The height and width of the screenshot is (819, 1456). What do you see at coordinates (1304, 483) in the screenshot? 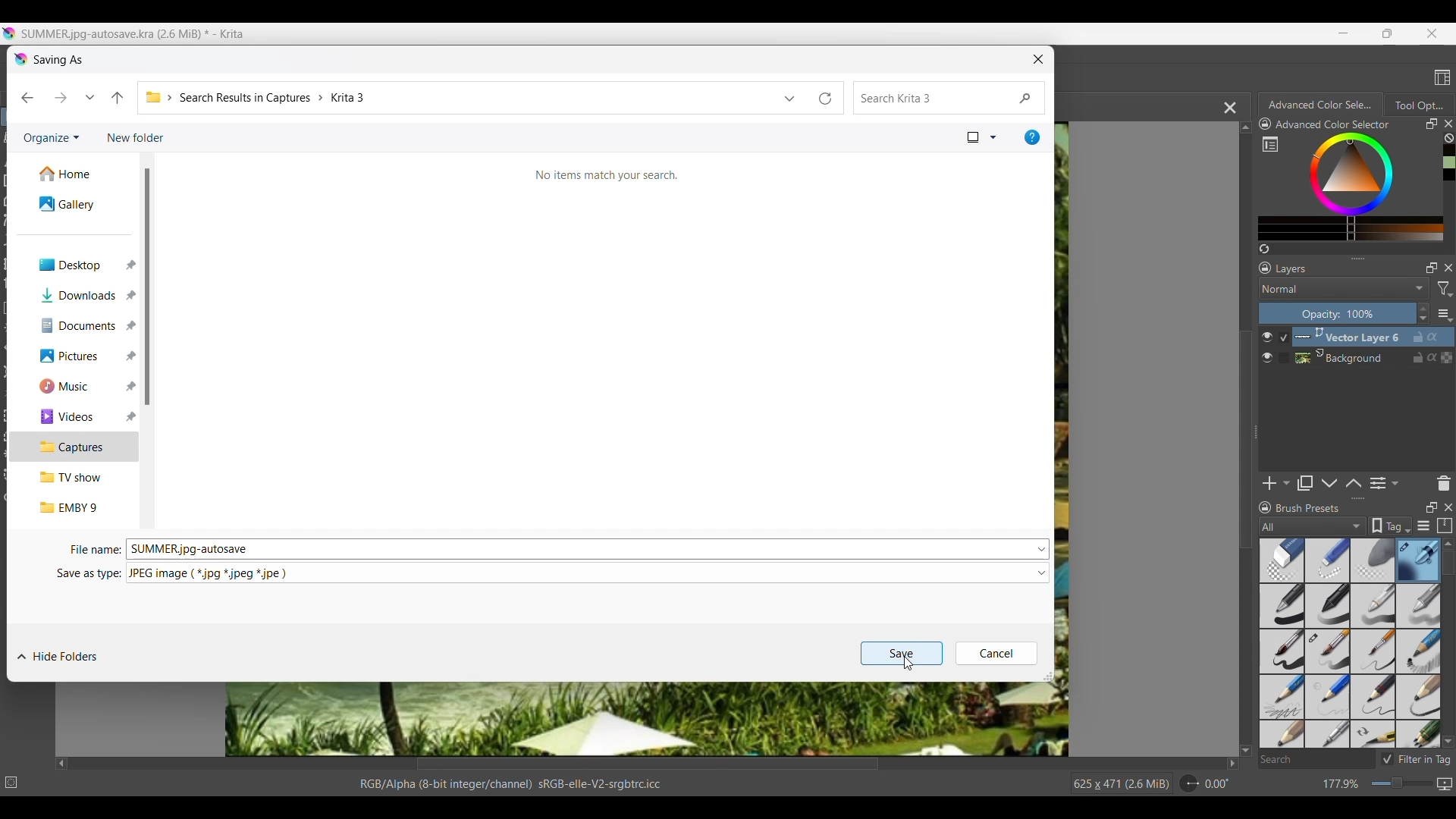
I see `Duplicate layer/mask` at bounding box center [1304, 483].